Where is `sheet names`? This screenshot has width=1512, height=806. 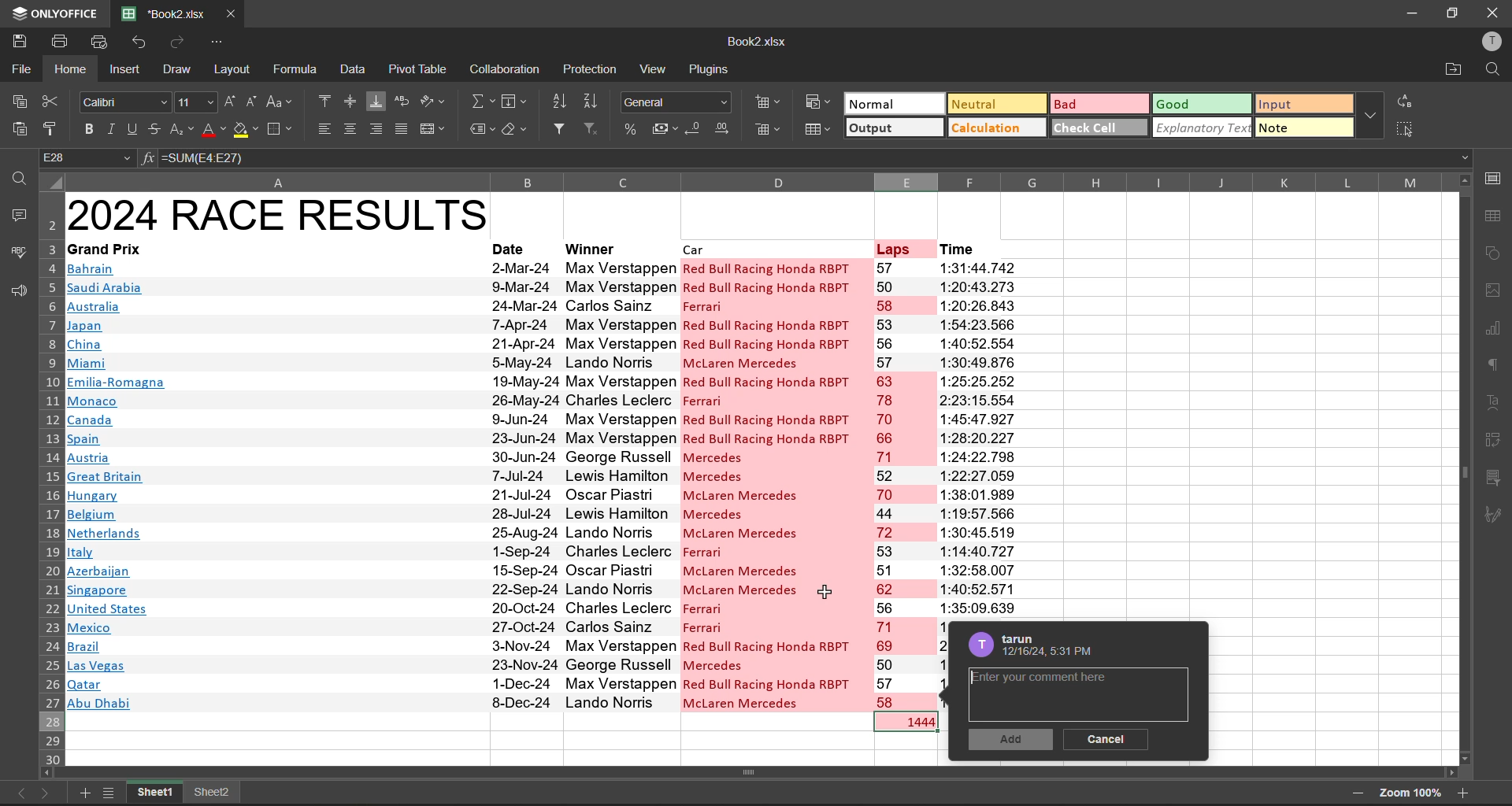
sheet names is located at coordinates (156, 794).